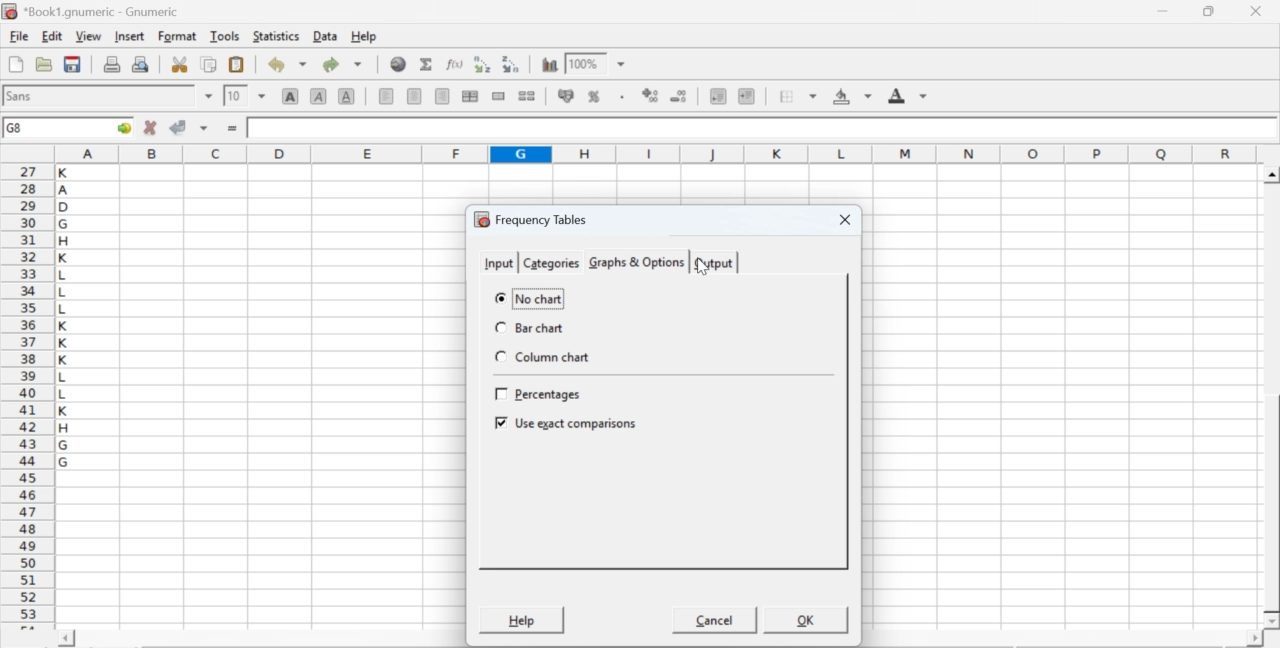 The image size is (1280, 648). Describe the element at coordinates (583, 63) in the screenshot. I see `100%` at that location.